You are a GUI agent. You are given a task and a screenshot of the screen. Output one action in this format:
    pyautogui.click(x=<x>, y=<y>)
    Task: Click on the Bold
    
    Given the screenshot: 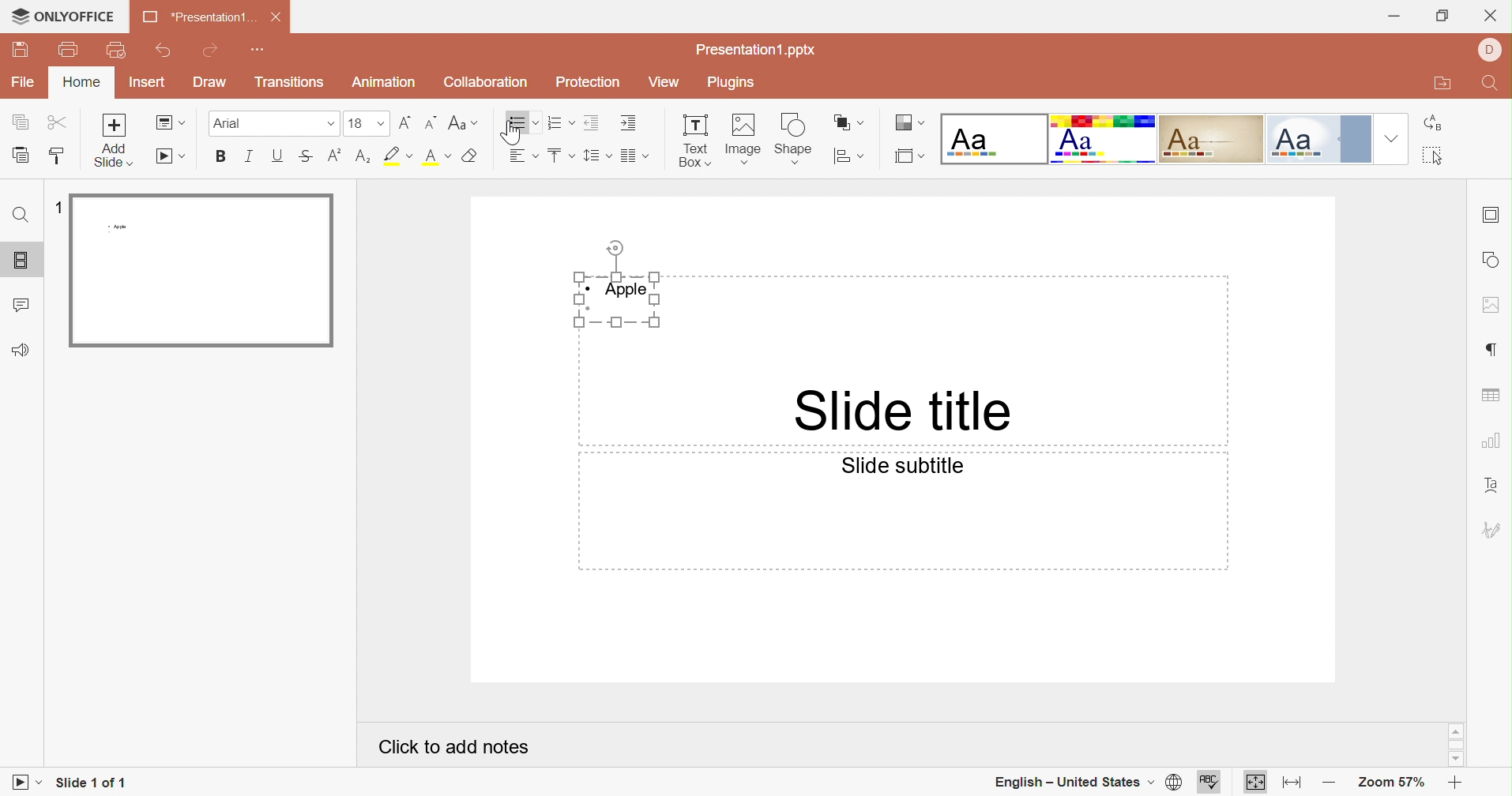 What is the action you would take?
    pyautogui.click(x=228, y=154)
    